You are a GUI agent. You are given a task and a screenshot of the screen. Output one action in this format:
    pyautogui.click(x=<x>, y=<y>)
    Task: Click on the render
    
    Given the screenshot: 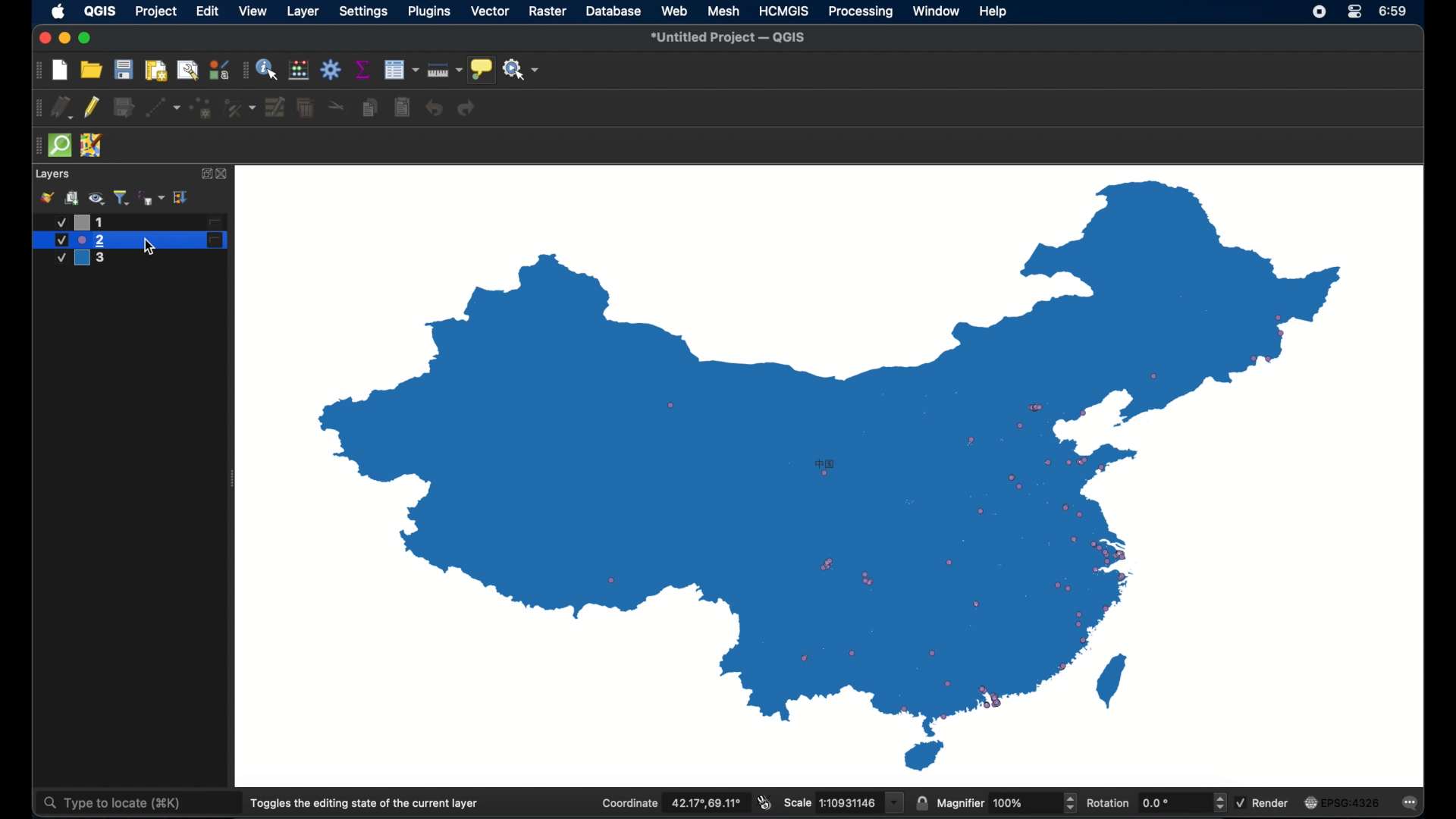 What is the action you would take?
    pyautogui.click(x=1262, y=801)
    